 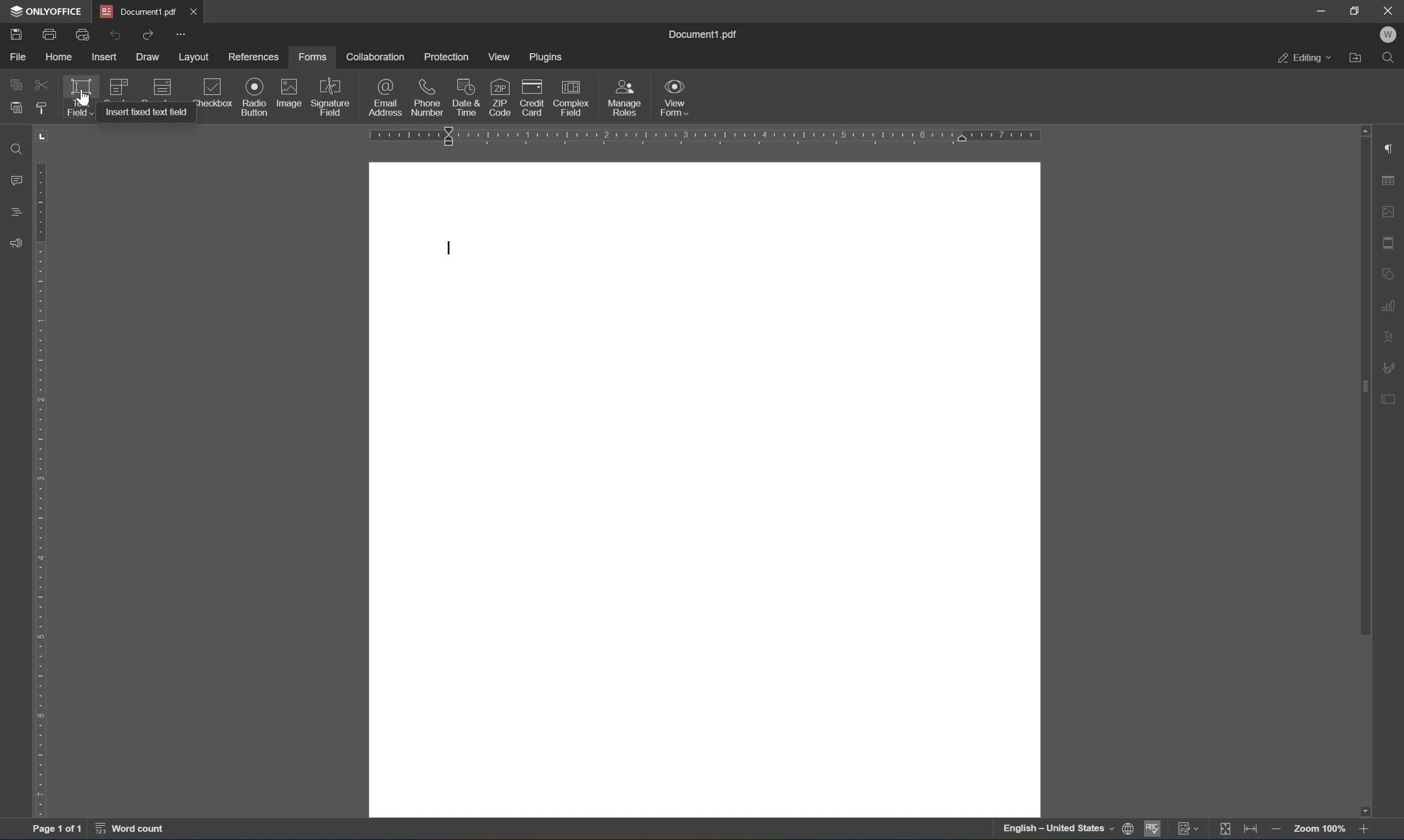 What do you see at coordinates (194, 11) in the screenshot?
I see `close` at bounding box center [194, 11].